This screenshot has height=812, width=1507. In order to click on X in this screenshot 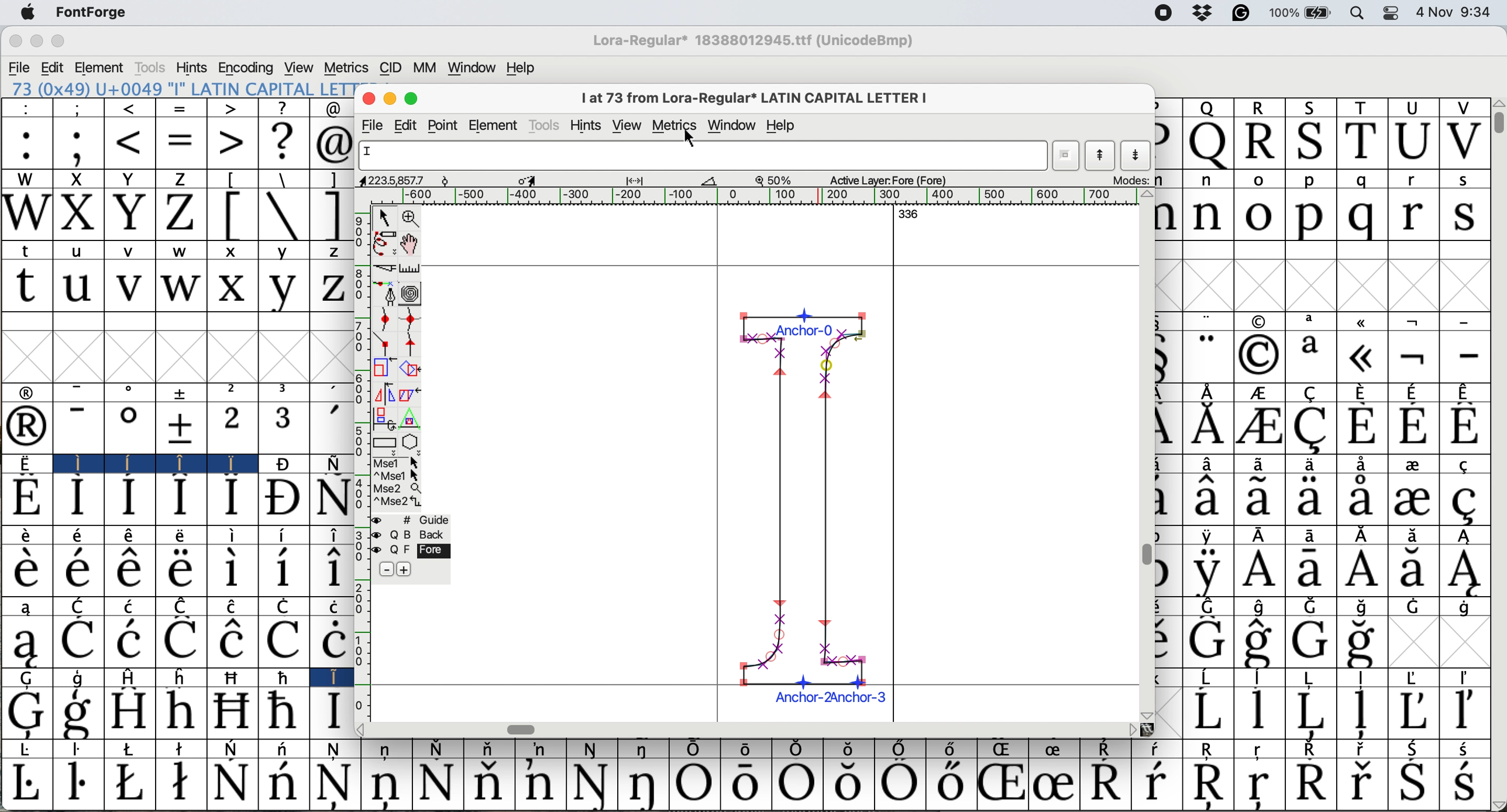, I will do `click(77, 179)`.